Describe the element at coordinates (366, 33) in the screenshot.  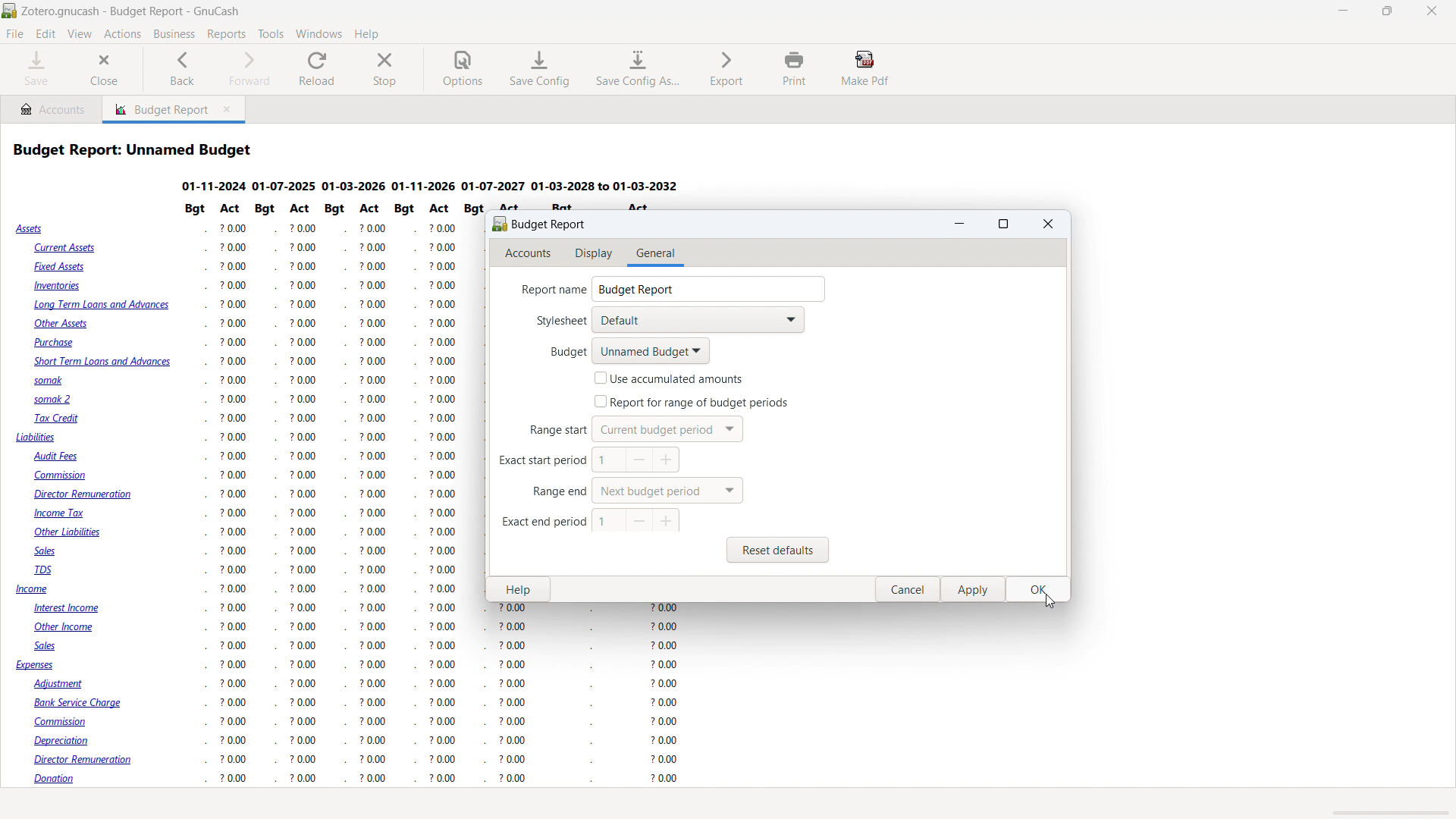
I see `help` at that location.